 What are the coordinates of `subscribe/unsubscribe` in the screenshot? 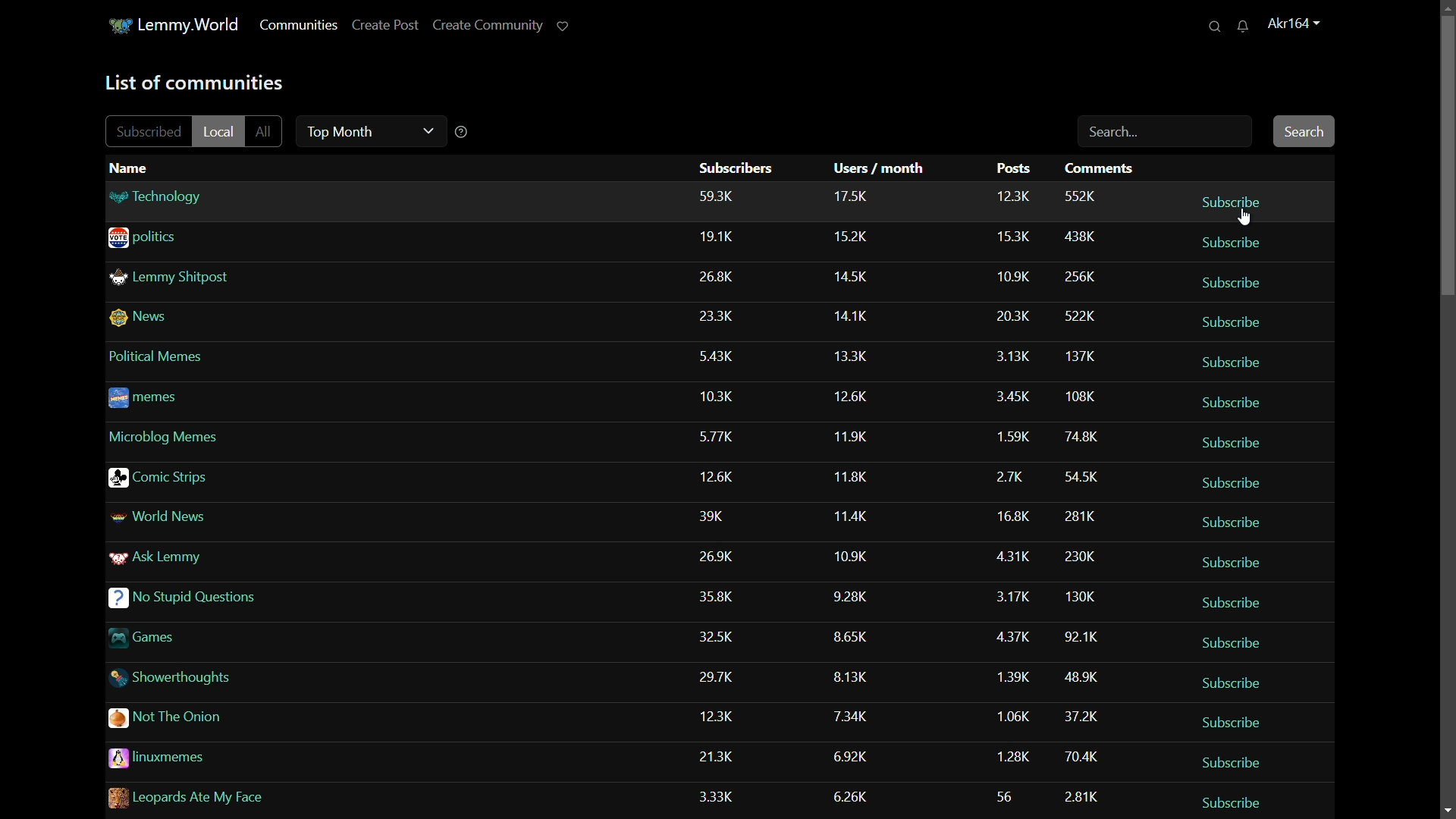 It's located at (1242, 681).